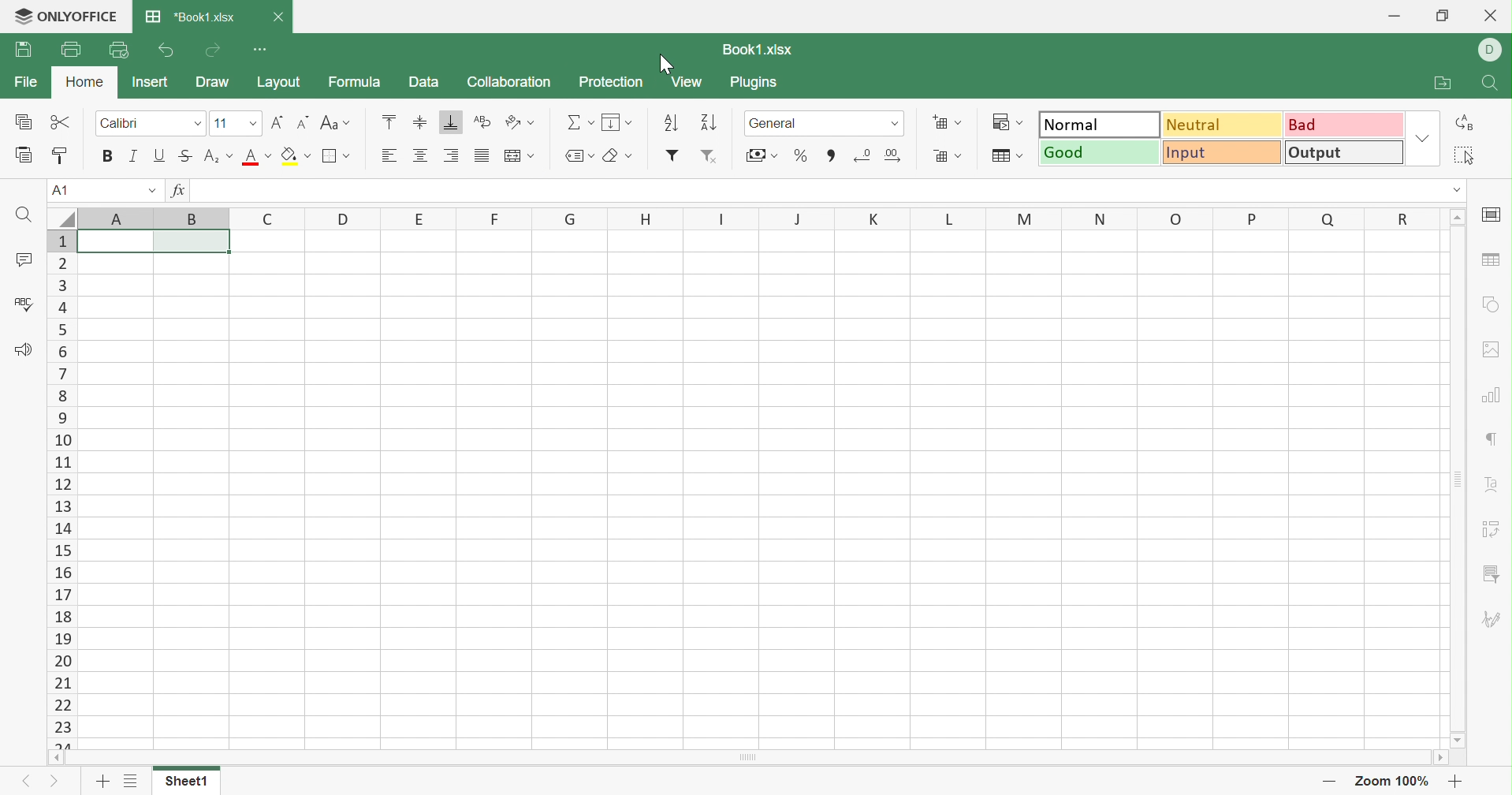  What do you see at coordinates (579, 156) in the screenshot?
I see `Named ranges` at bounding box center [579, 156].